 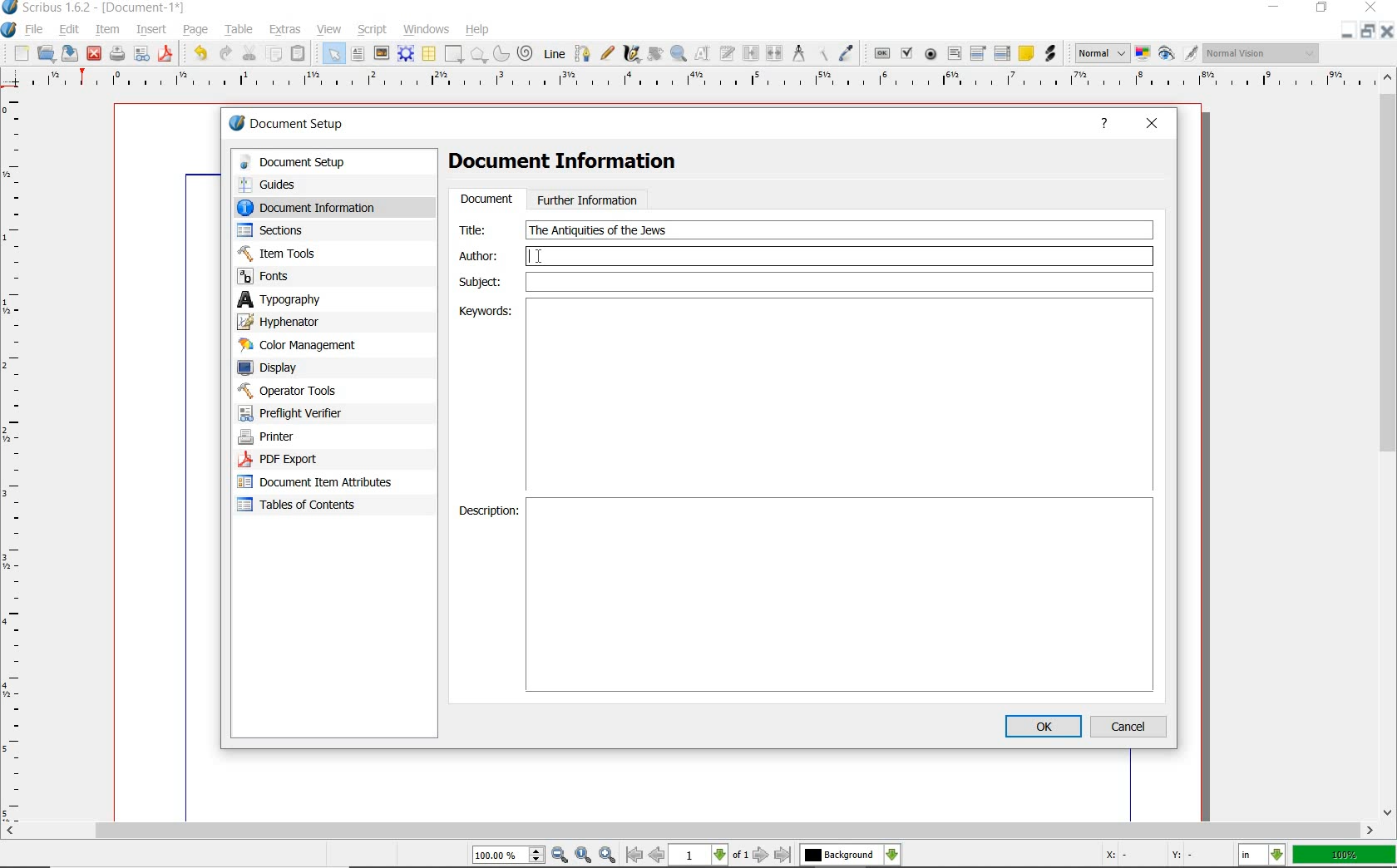 I want to click on move to next or previous page, so click(x=710, y=856).